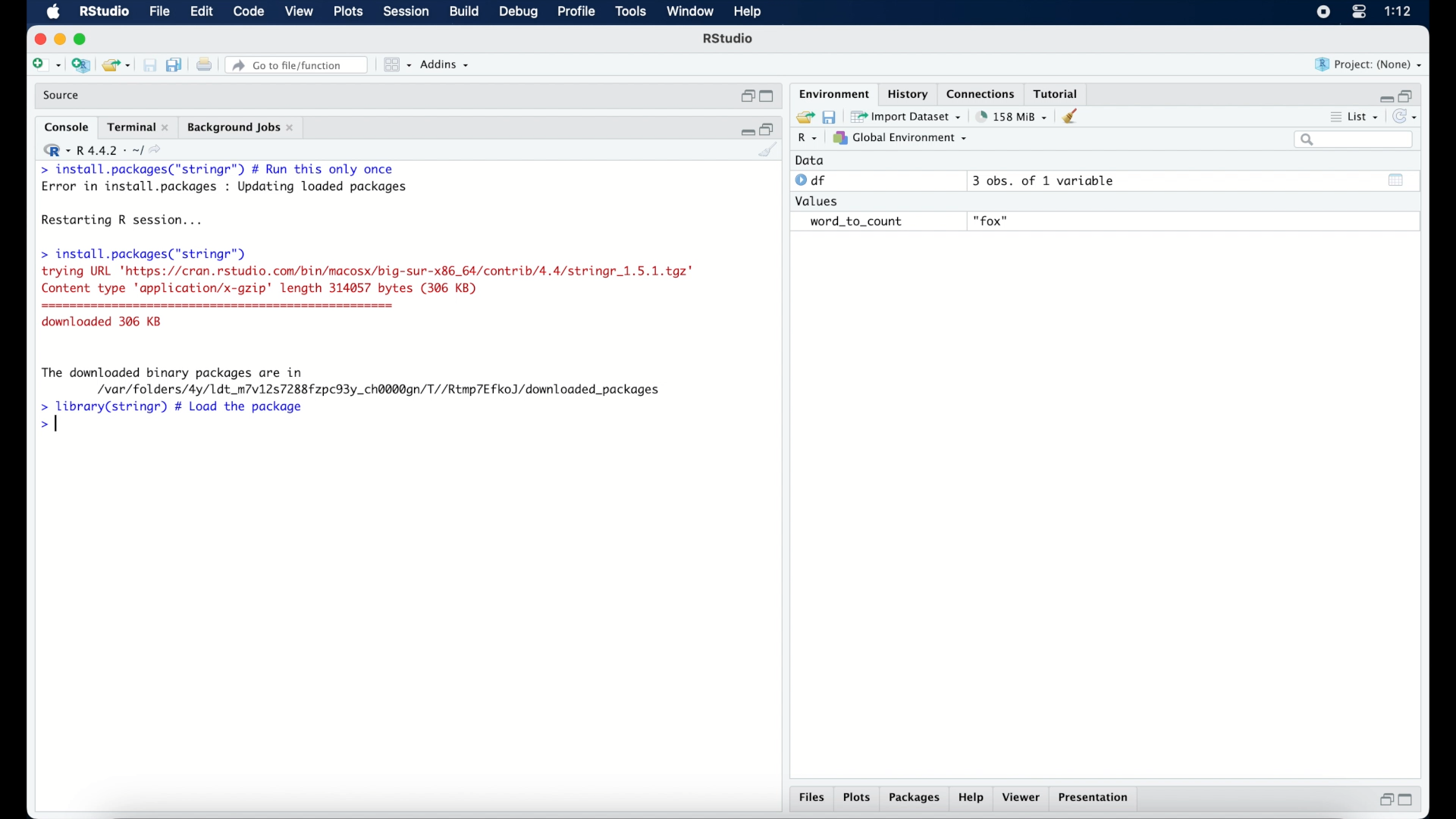 This screenshot has width=1456, height=819. I want to click on background jobs, so click(242, 129).